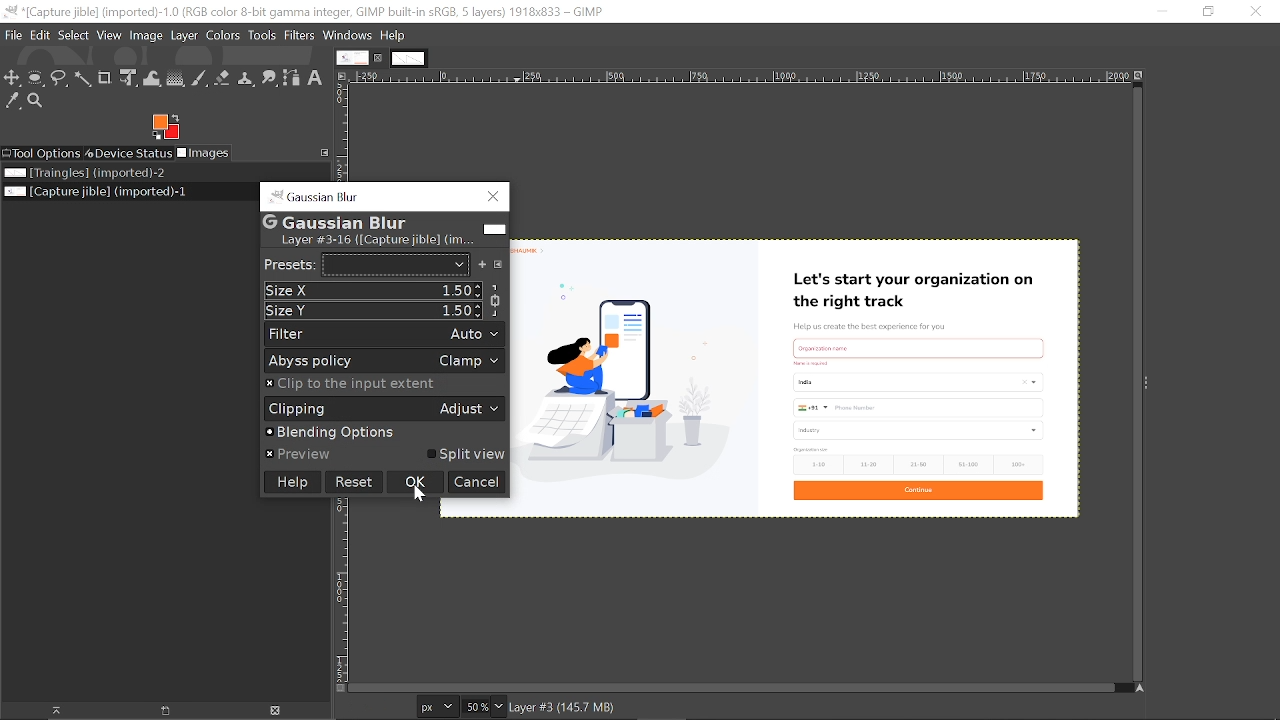 This screenshot has width=1280, height=720. Describe the element at coordinates (353, 57) in the screenshot. I see `Current tab` at that location.